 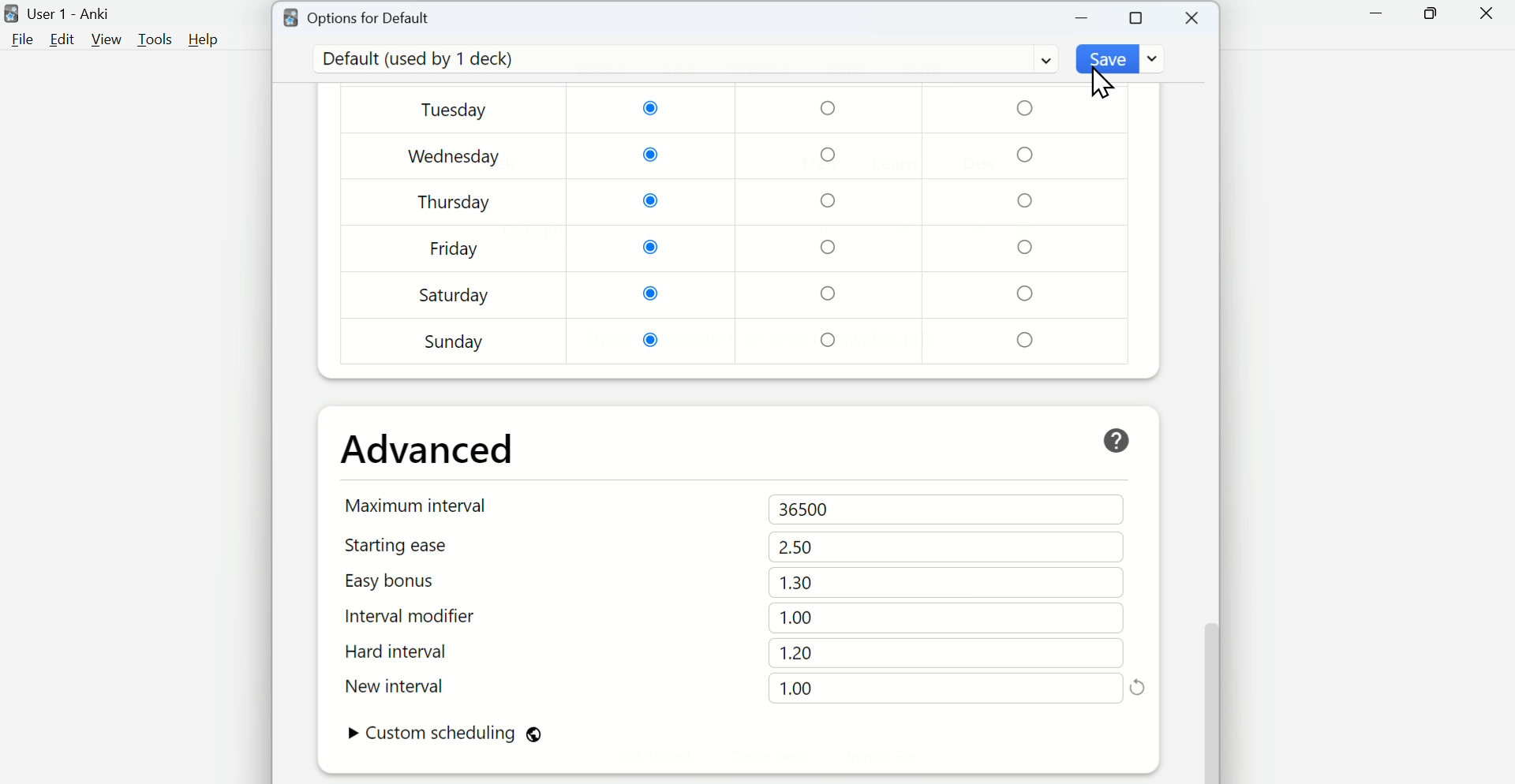 What do you see at coordinates (1138, 686) in the screenshot?
I see `Refresh` at bounding box center [1138, 686].